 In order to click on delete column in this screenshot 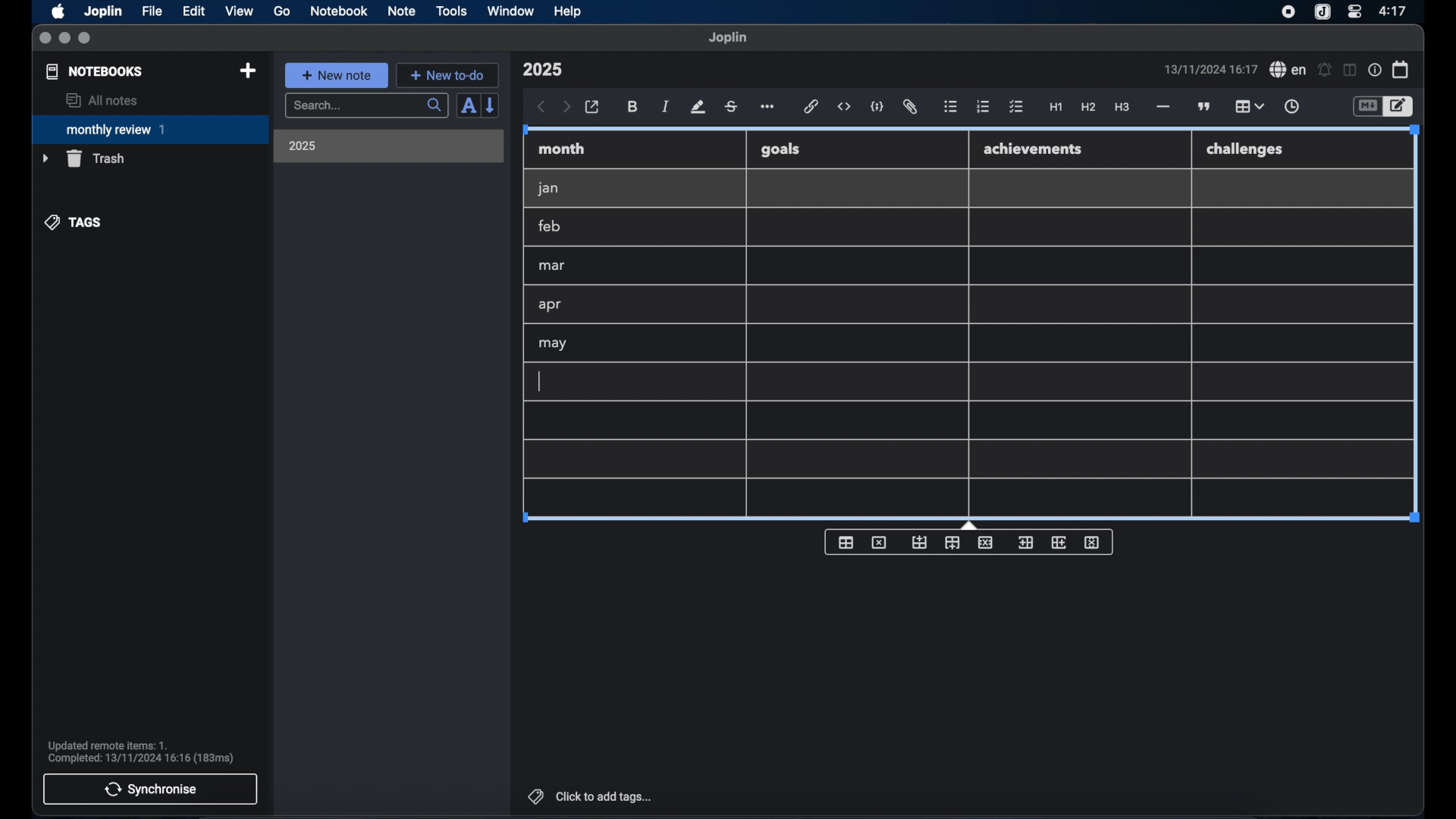, I will do `click(1093, 543)`.